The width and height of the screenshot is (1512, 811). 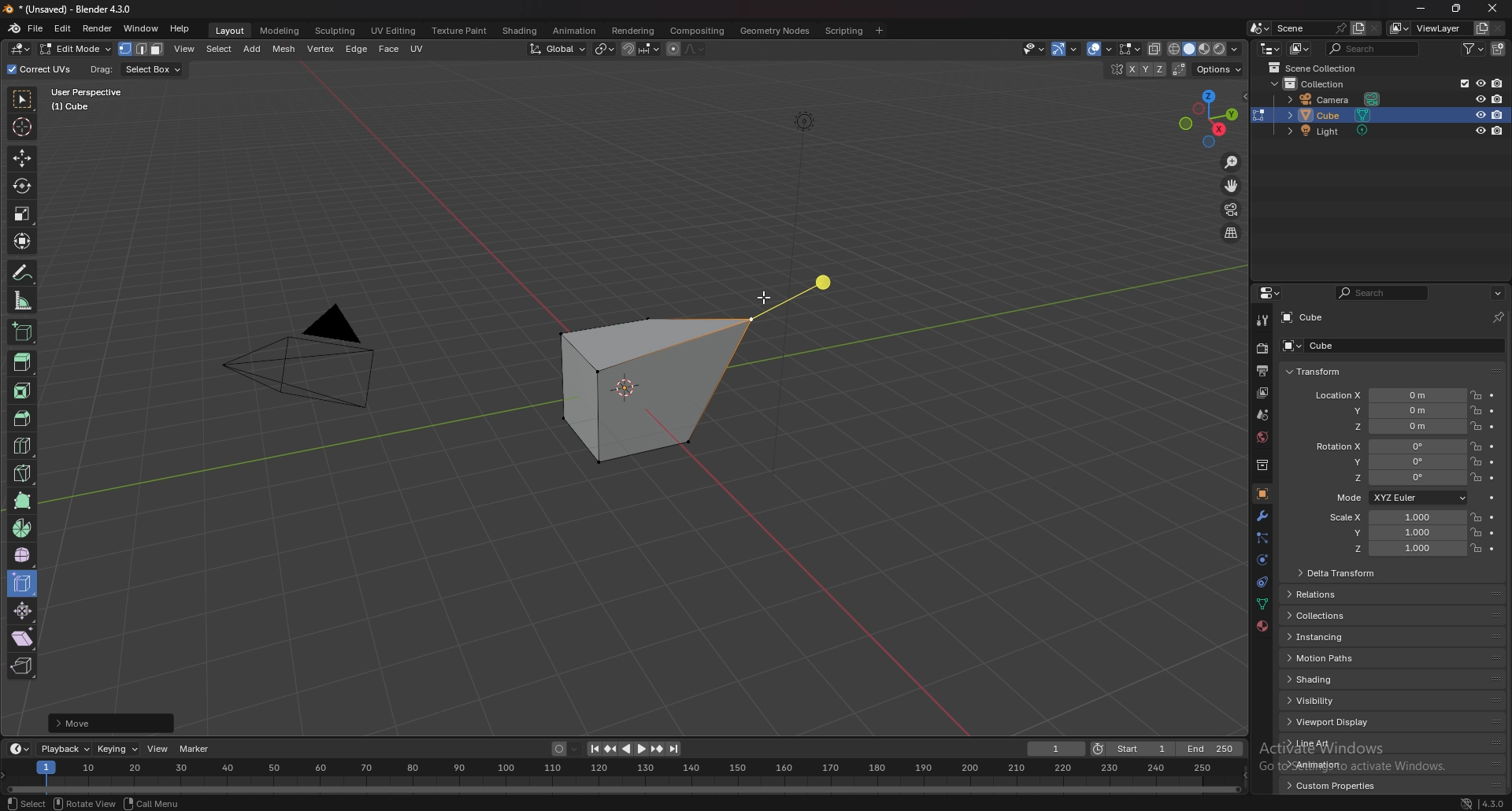 I want to click on viewlayer, so click(x=1427, y=28).